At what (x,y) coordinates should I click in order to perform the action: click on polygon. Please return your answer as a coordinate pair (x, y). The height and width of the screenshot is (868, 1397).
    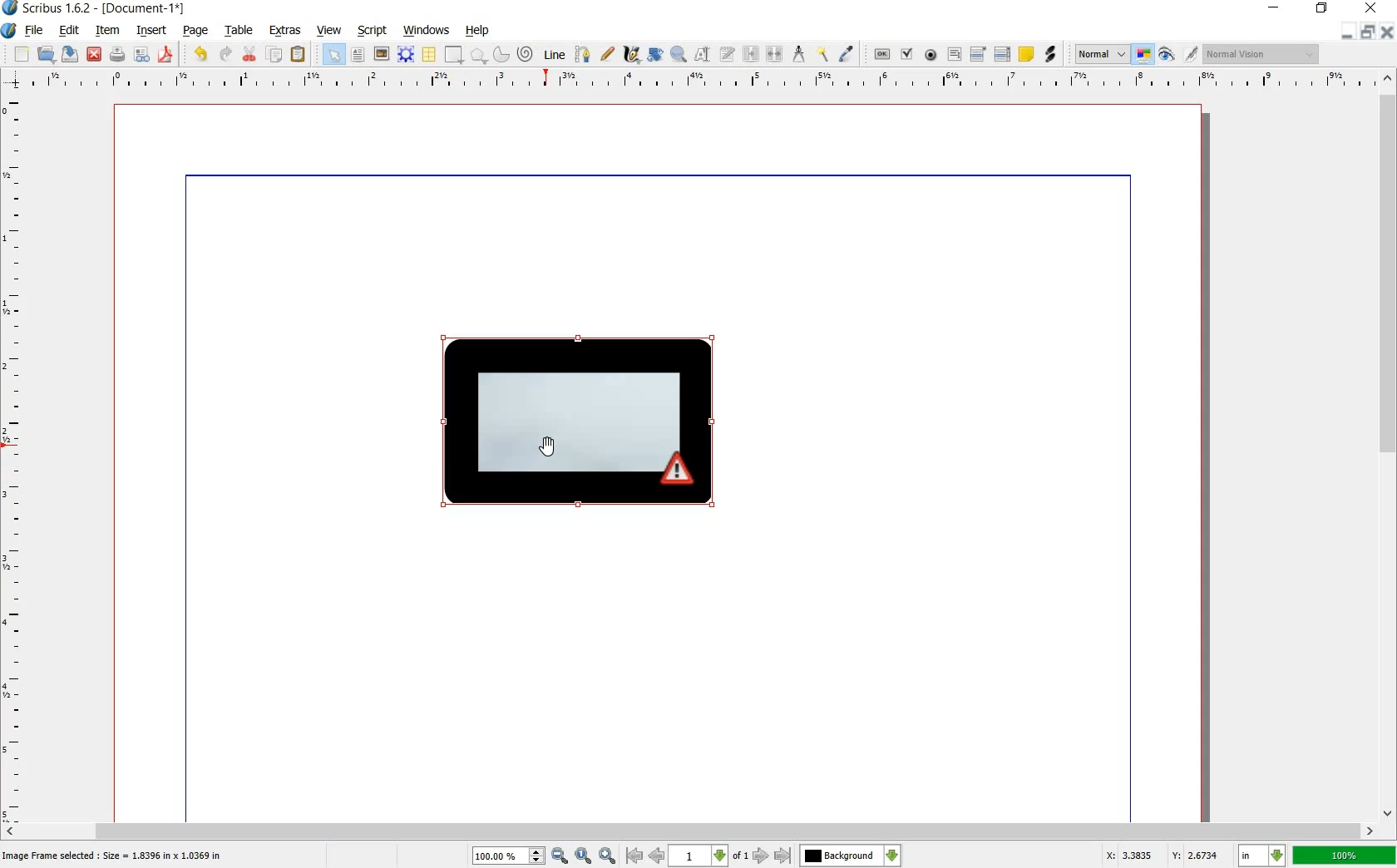
    Looking at the image, I should click on (478, 55).